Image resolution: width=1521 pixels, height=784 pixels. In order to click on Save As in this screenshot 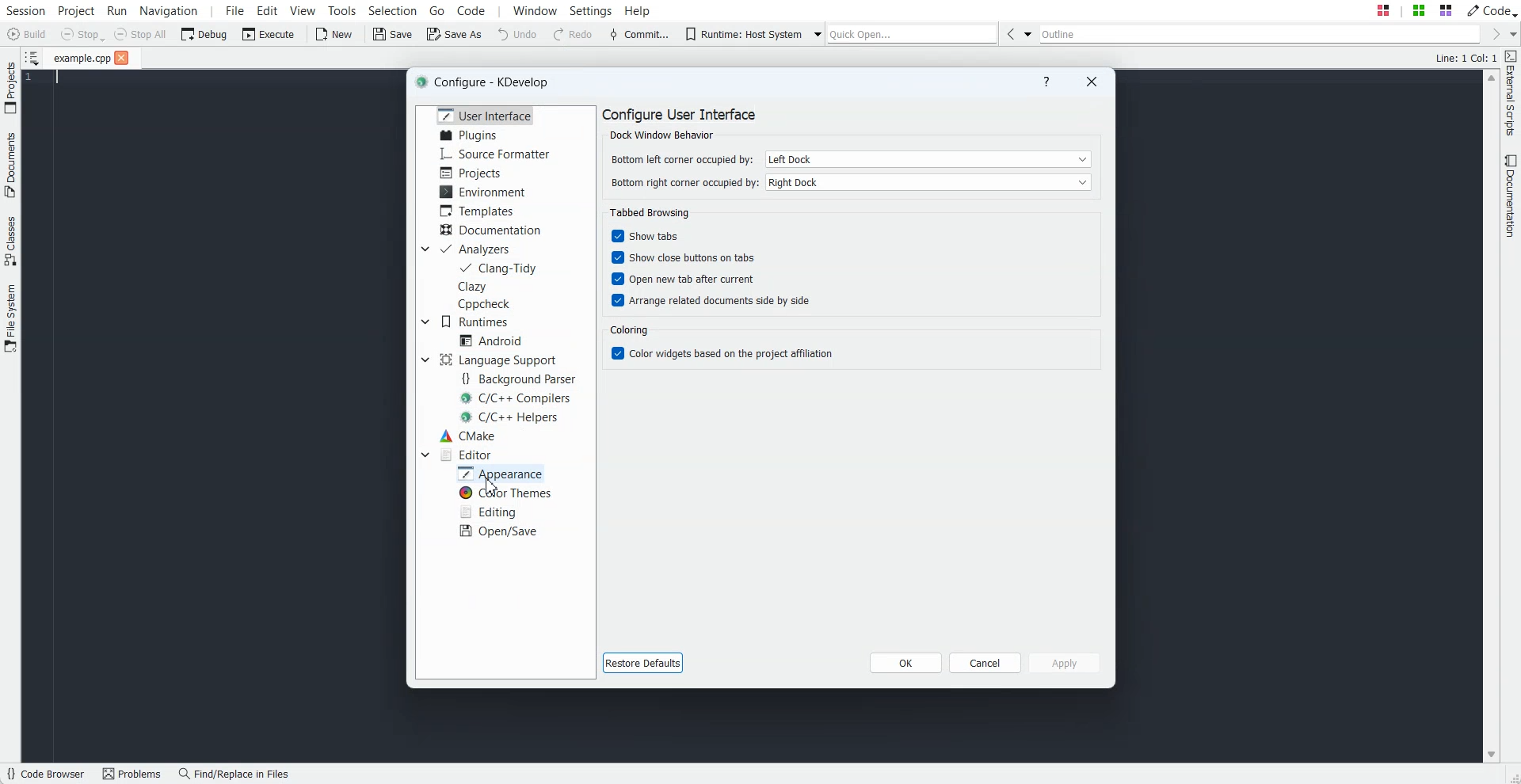, I will do `click(452, 33)`.